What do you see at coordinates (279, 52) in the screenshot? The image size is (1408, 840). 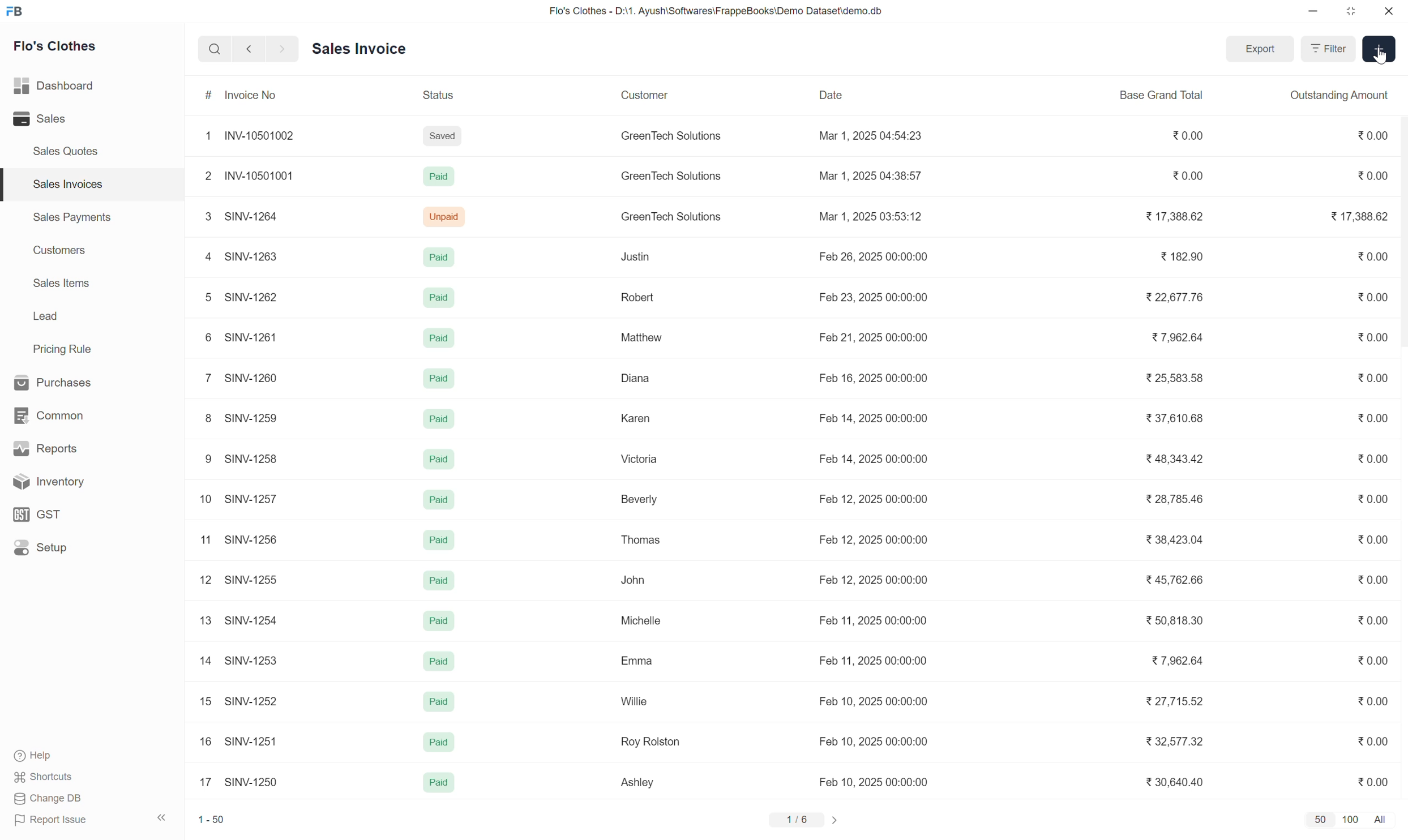 I see `go forward ` at bounding box center [279, 52].